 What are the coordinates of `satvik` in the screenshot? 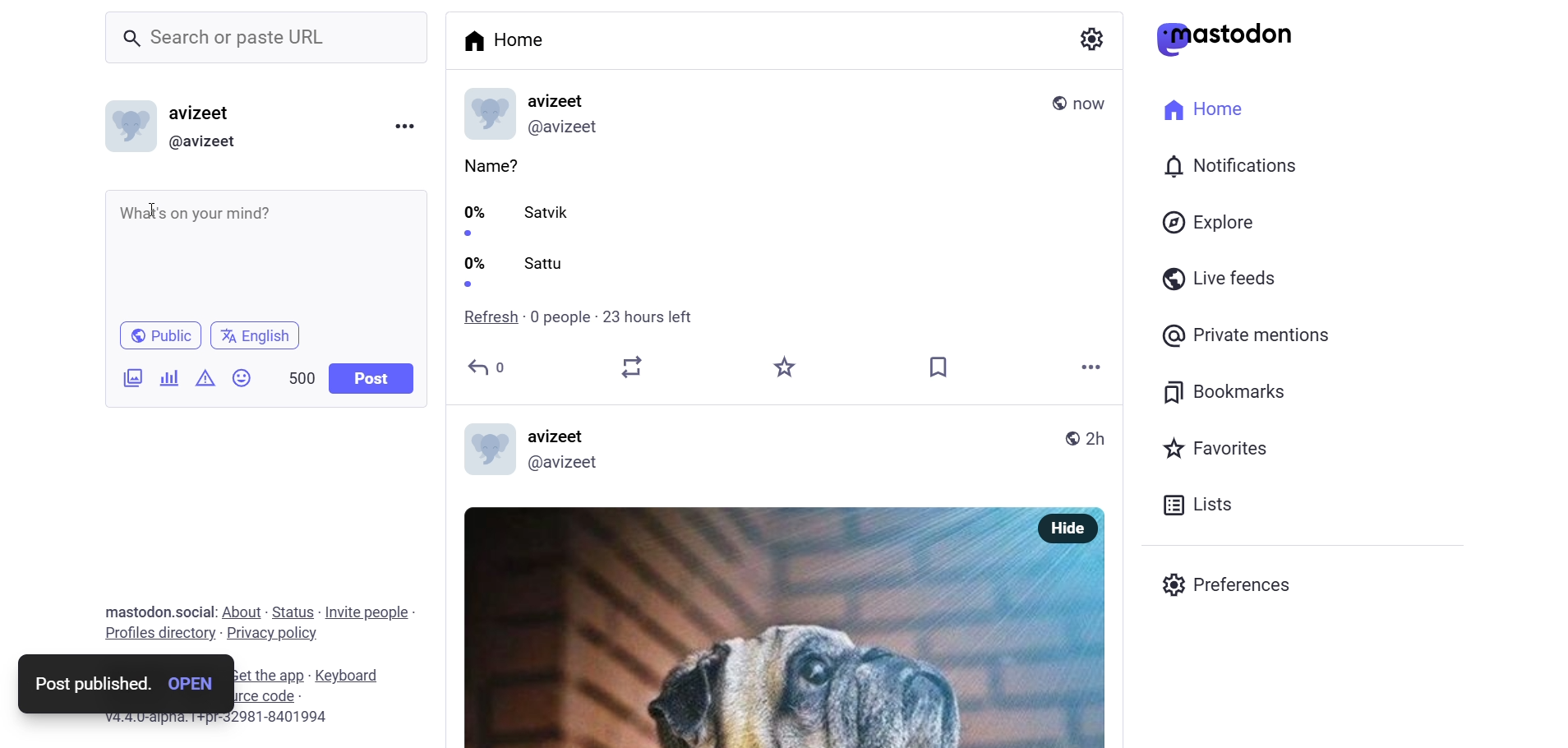 It's located at (551, 213).